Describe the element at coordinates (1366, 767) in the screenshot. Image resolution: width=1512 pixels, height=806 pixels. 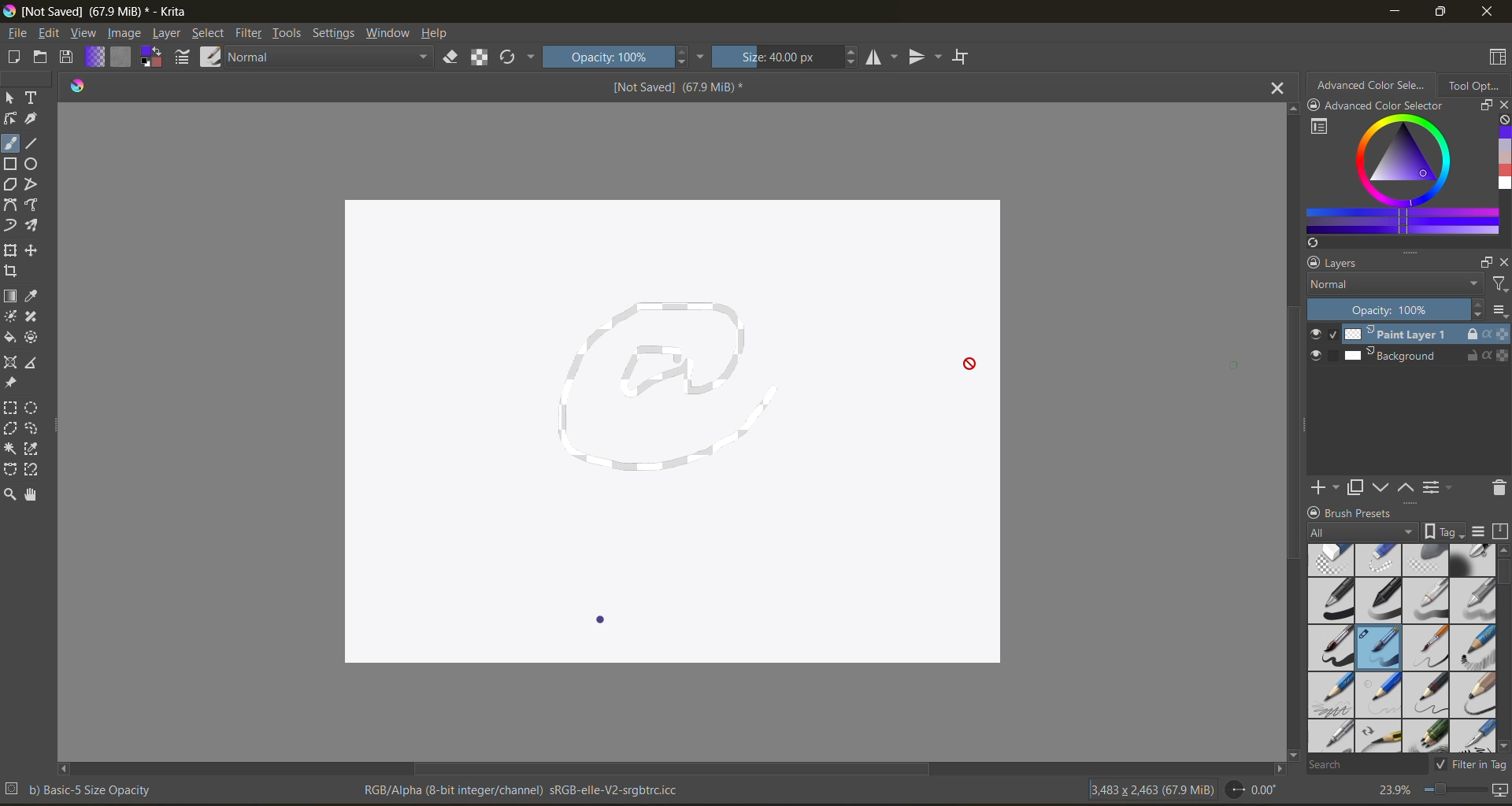
I see `search` at that location.